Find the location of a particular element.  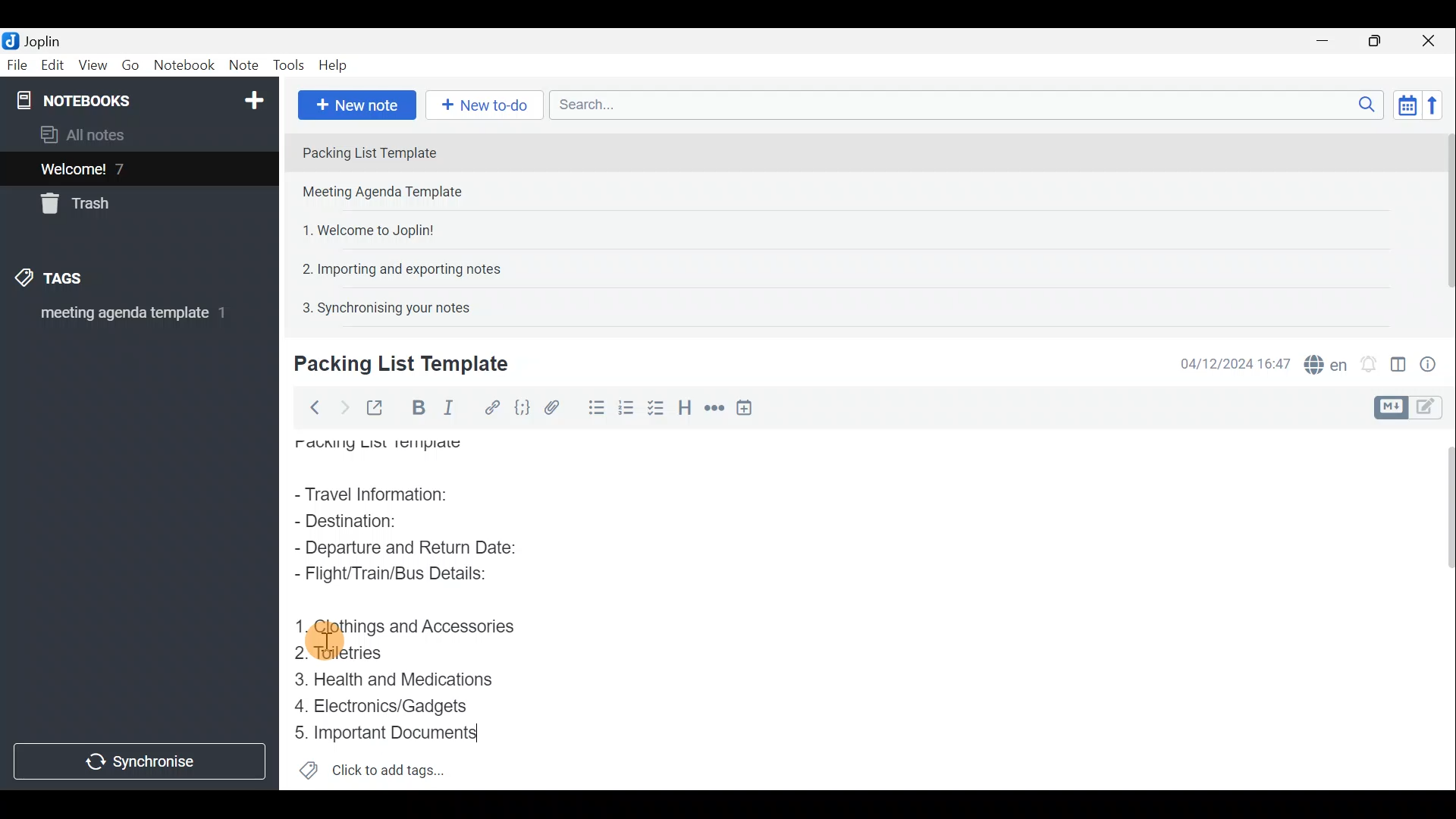

Trash is located at coordinates (81, 206).